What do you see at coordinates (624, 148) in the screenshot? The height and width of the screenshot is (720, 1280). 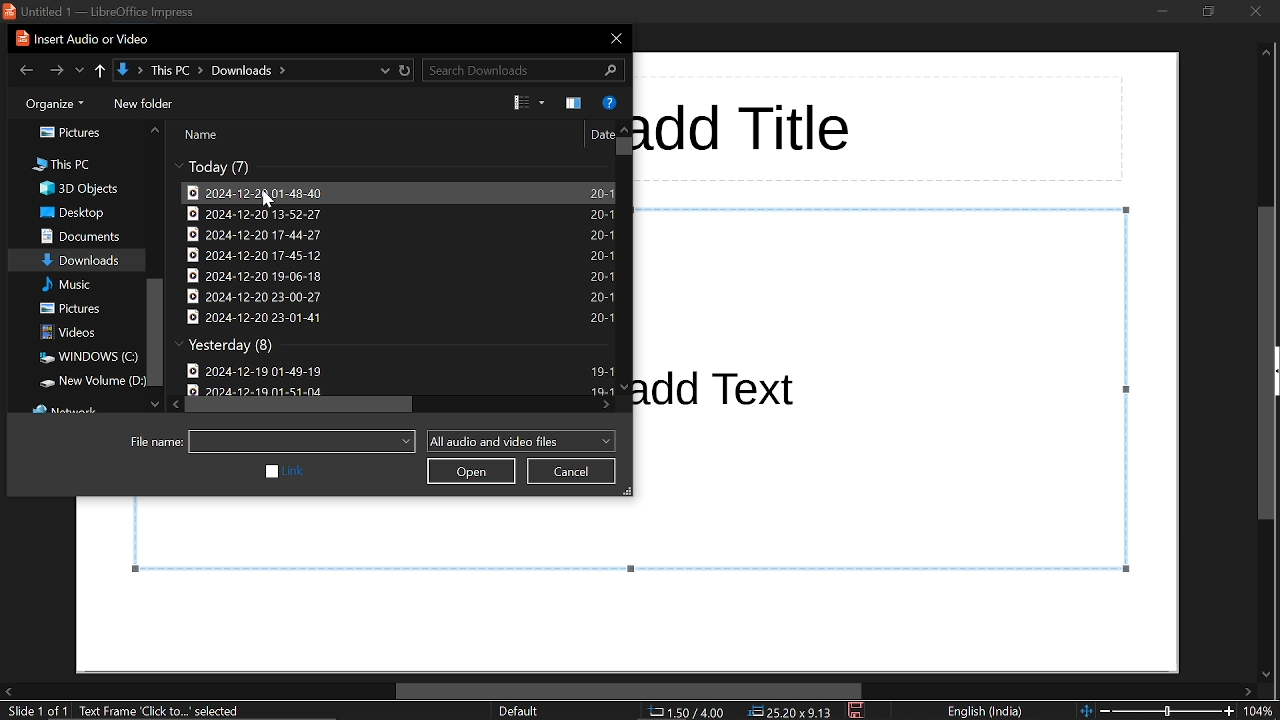 I see `vertical scrollbars in files` at bounding box center [624, 148].